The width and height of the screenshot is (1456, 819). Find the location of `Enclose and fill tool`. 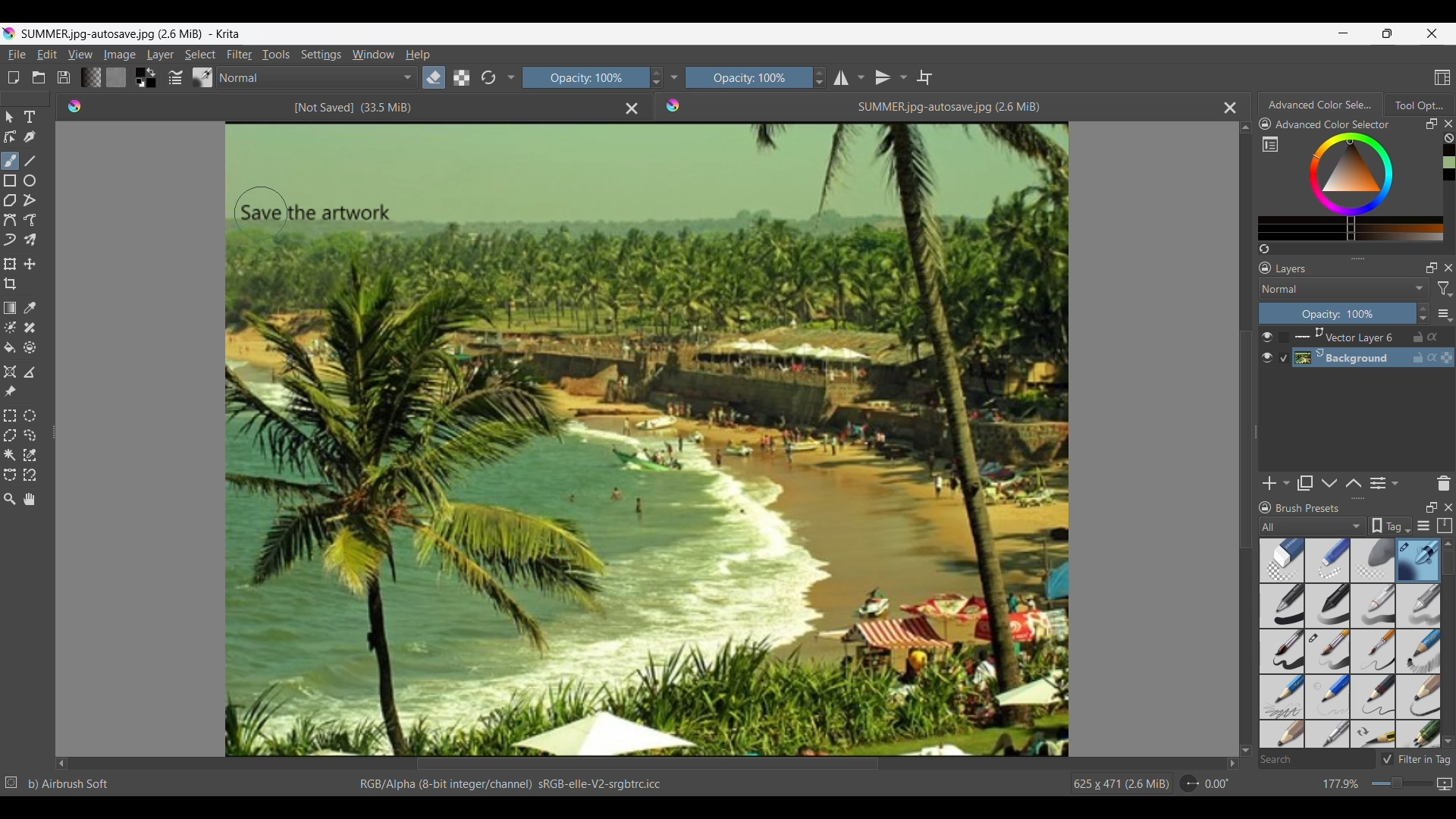

Enclose and fill tool is located at coordinates (30, 347).